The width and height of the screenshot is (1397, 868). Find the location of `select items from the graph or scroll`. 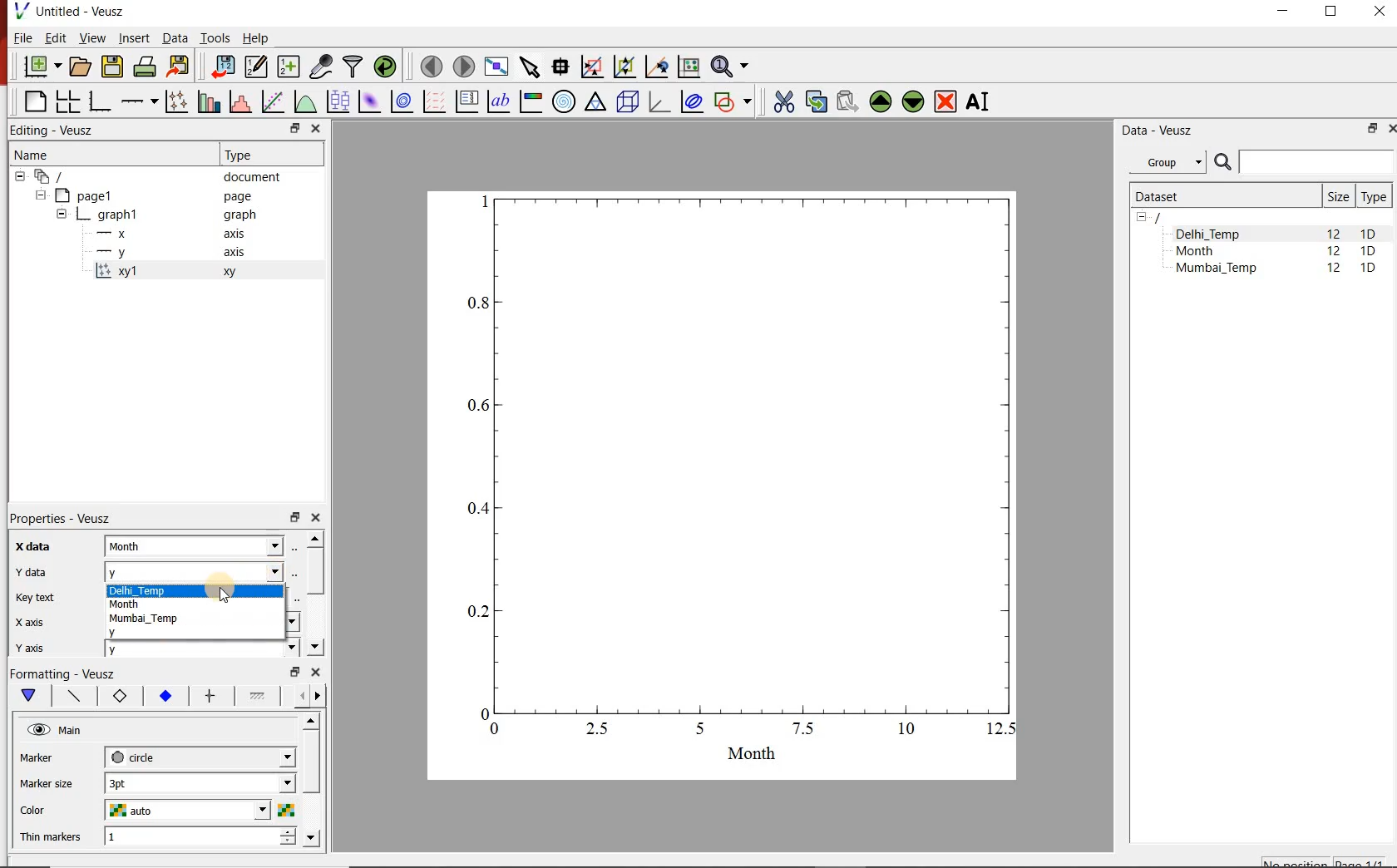

select items from the graph or scroll is located at coordinates (531, 67).